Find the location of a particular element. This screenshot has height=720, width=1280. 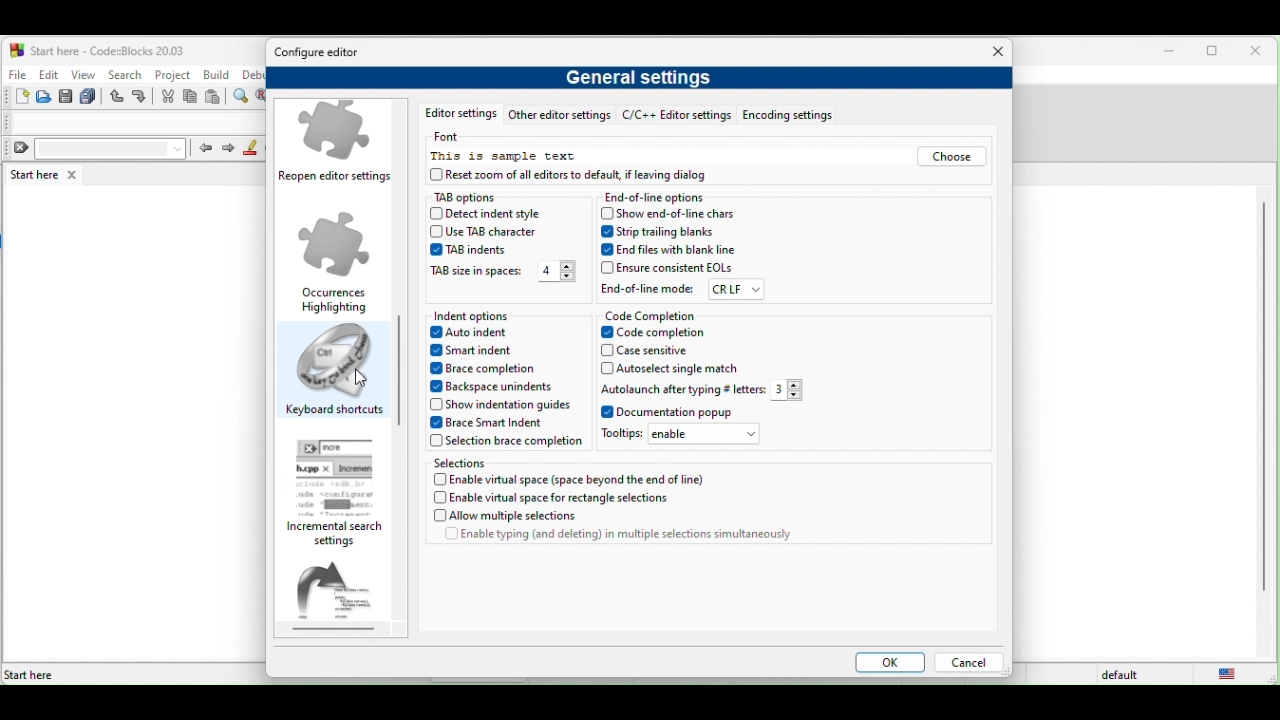

ok is located at coordinates (886, 664).